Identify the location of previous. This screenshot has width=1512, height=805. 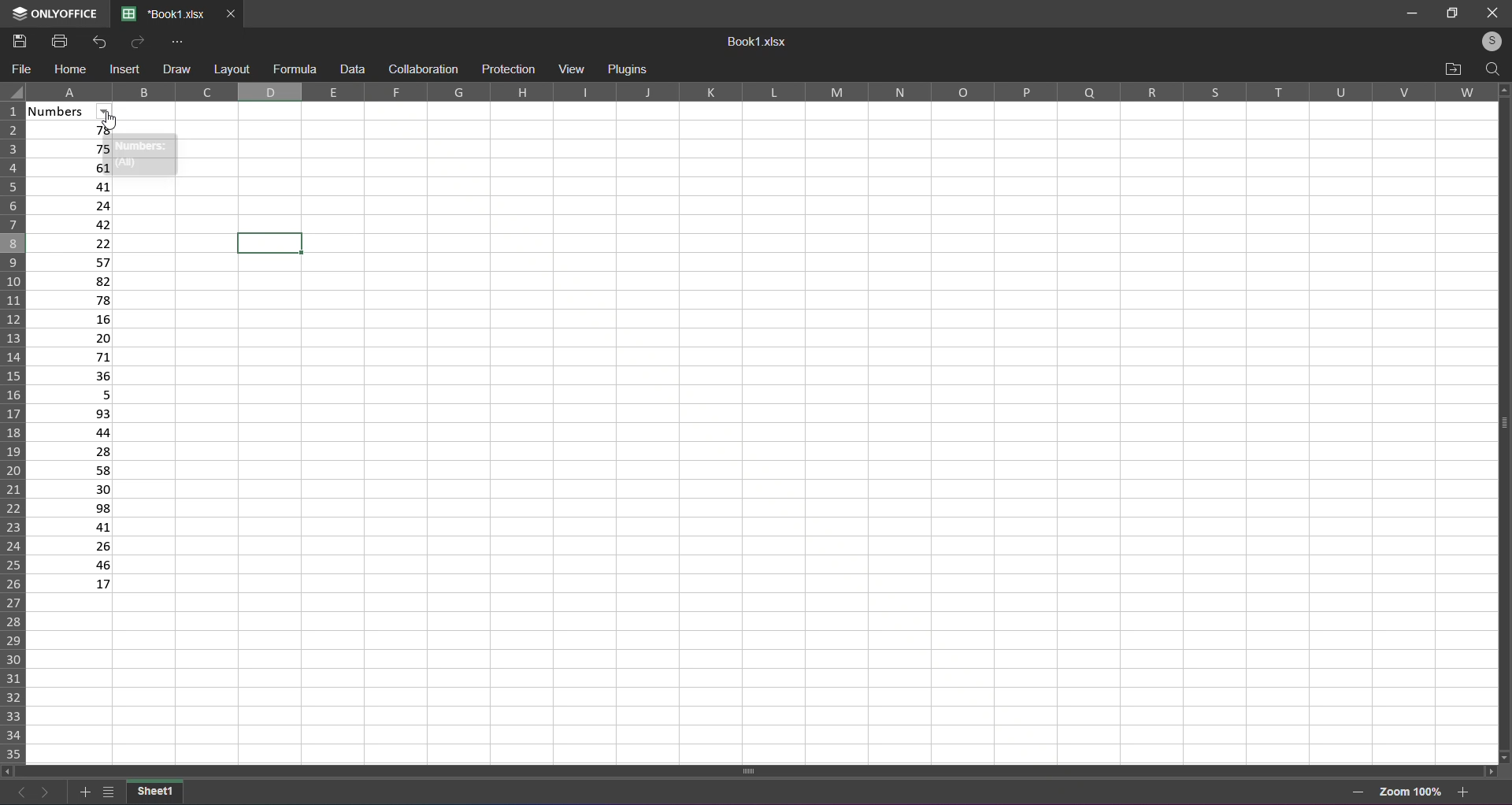
(17, 789).